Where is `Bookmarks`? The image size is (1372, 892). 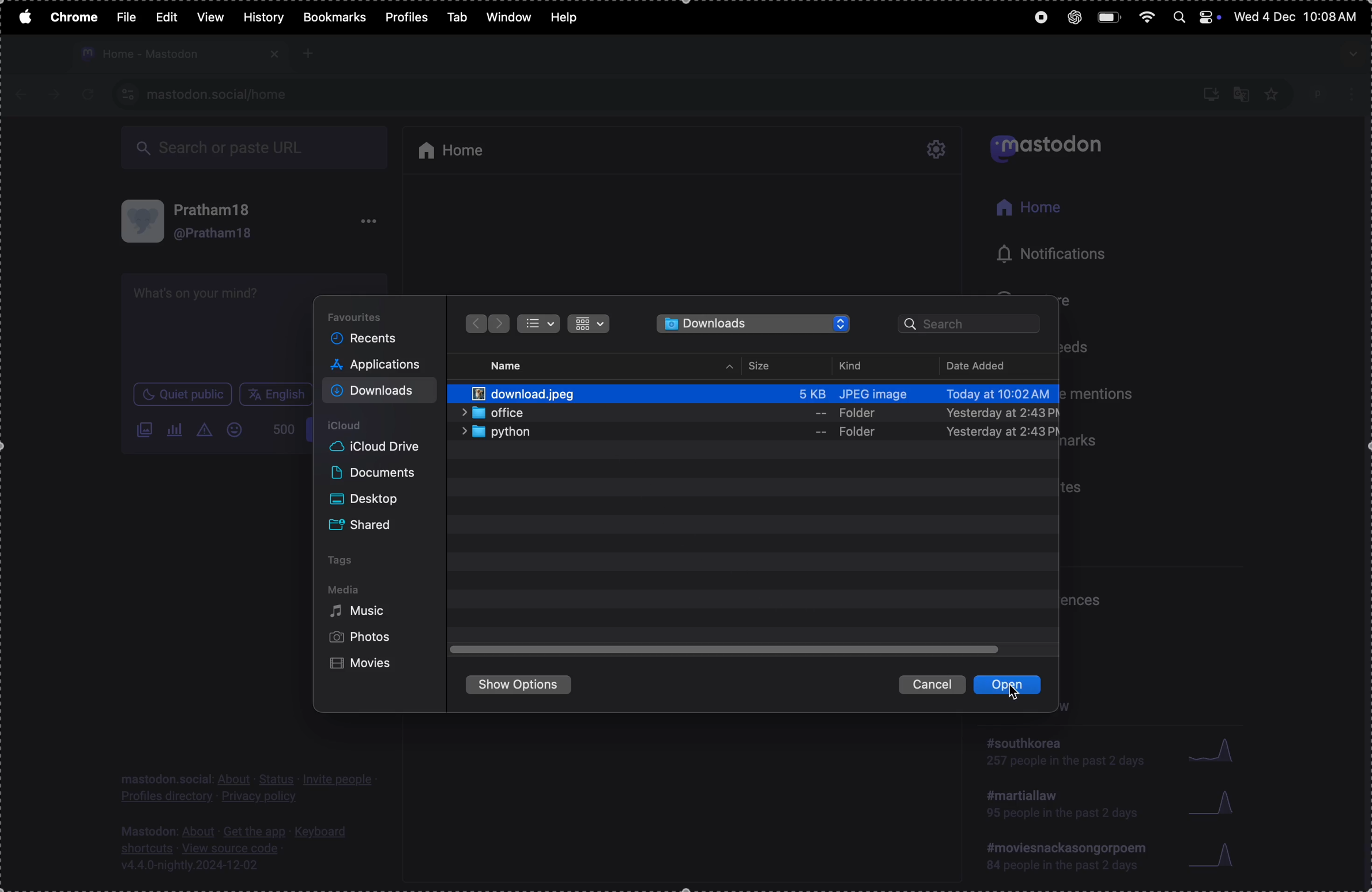
Bookmarks is located at coordinates (334, 17).